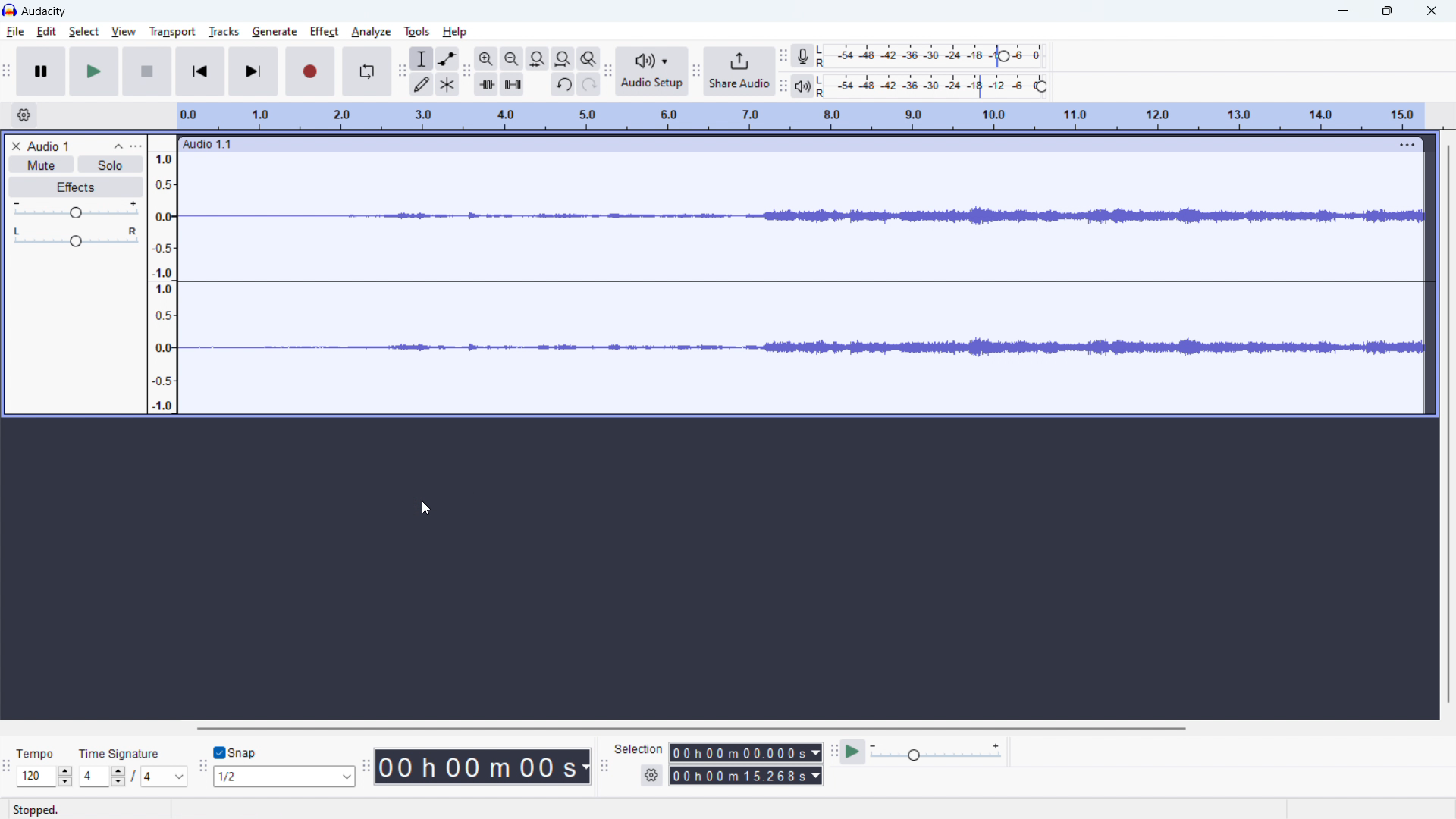  What do you see at coordinates (1390, 10) in the screenshot?
I see `maximize` at bounding box center [1390, 10].